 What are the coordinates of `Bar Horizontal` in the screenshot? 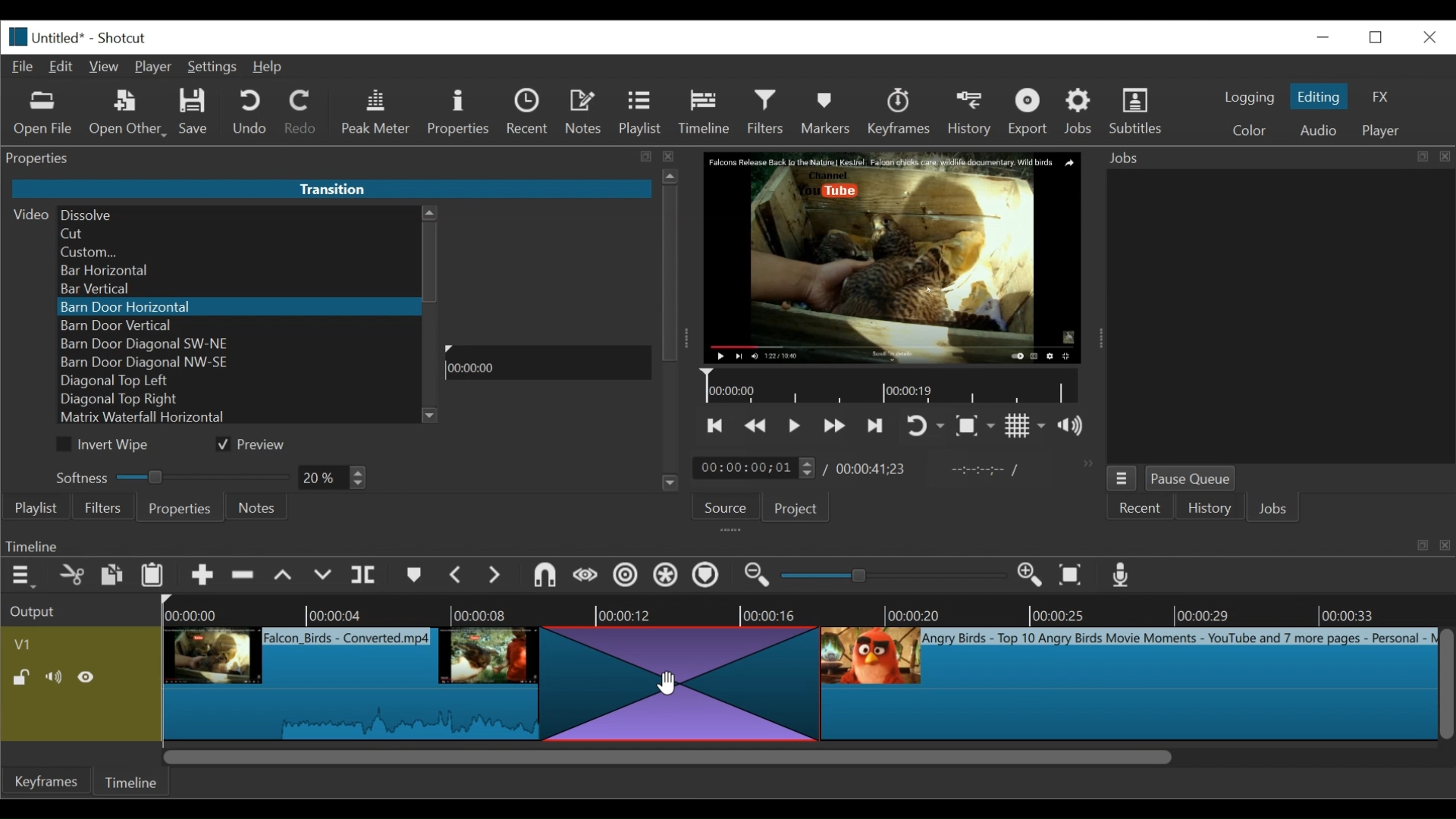 It's located at (236, 271).